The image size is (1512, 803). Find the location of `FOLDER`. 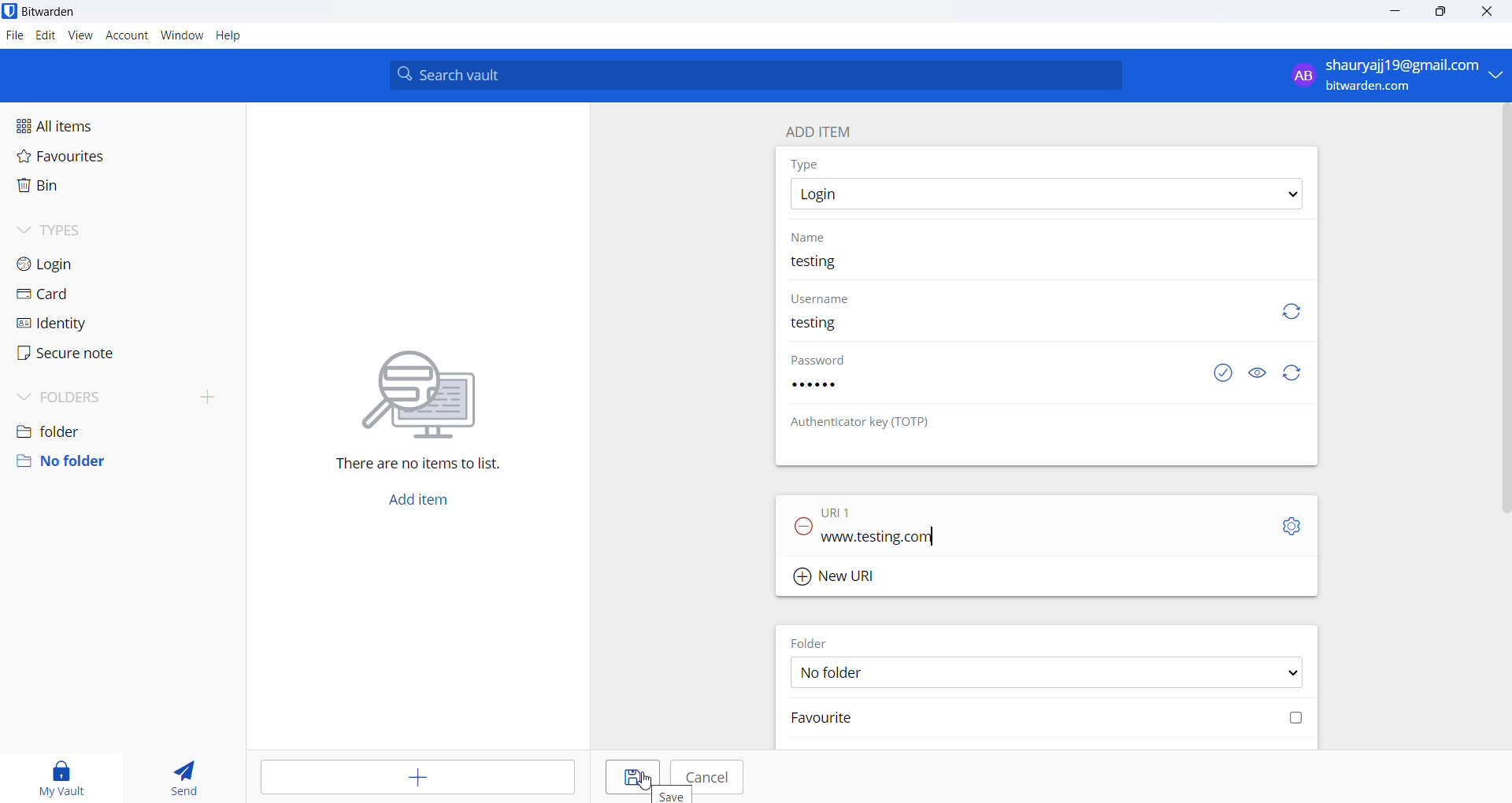

FOLDER is located at coordinates (813, 642).